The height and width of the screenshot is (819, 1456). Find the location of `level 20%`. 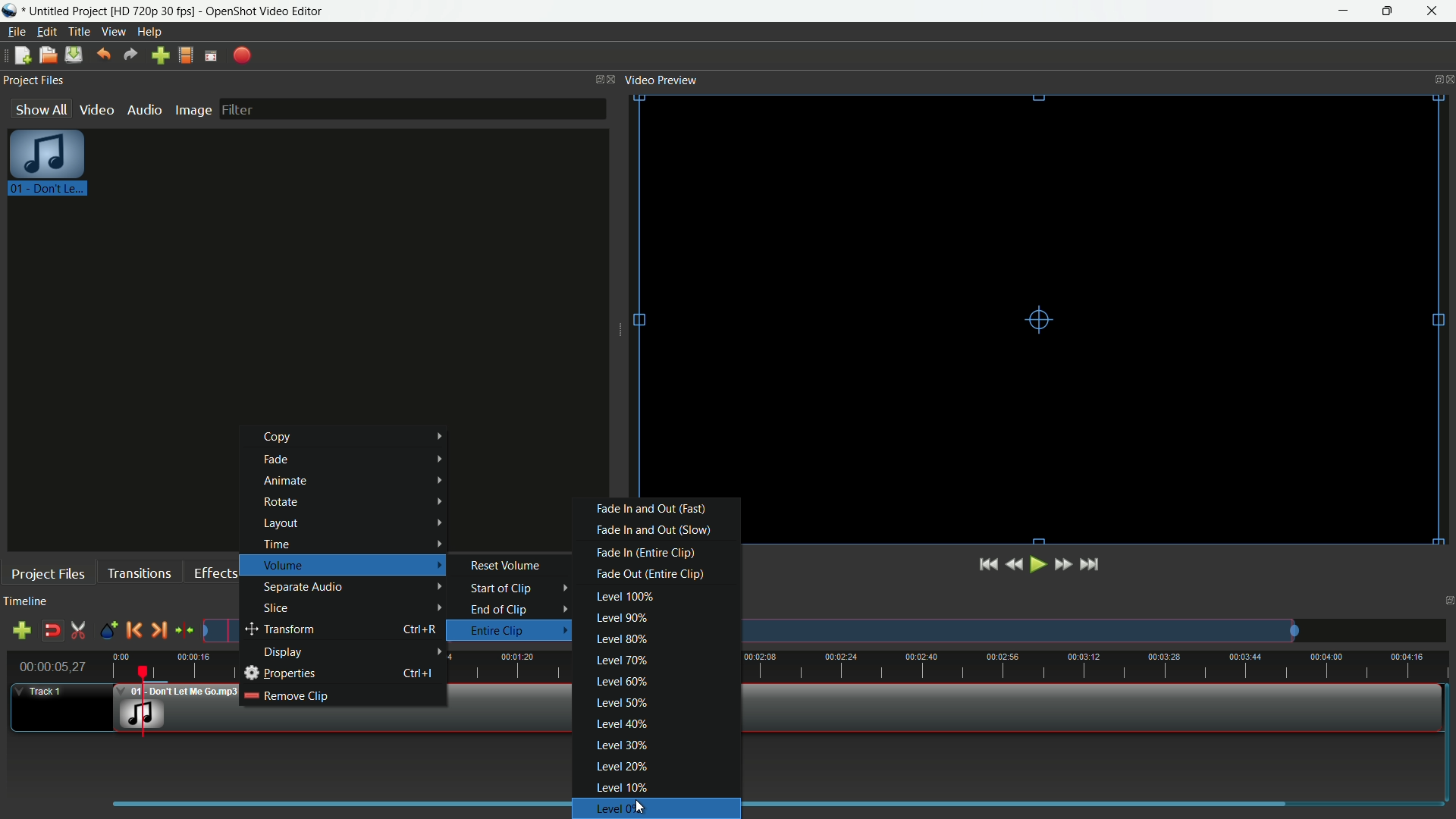

level 20% is located at coordinates (621, 768).